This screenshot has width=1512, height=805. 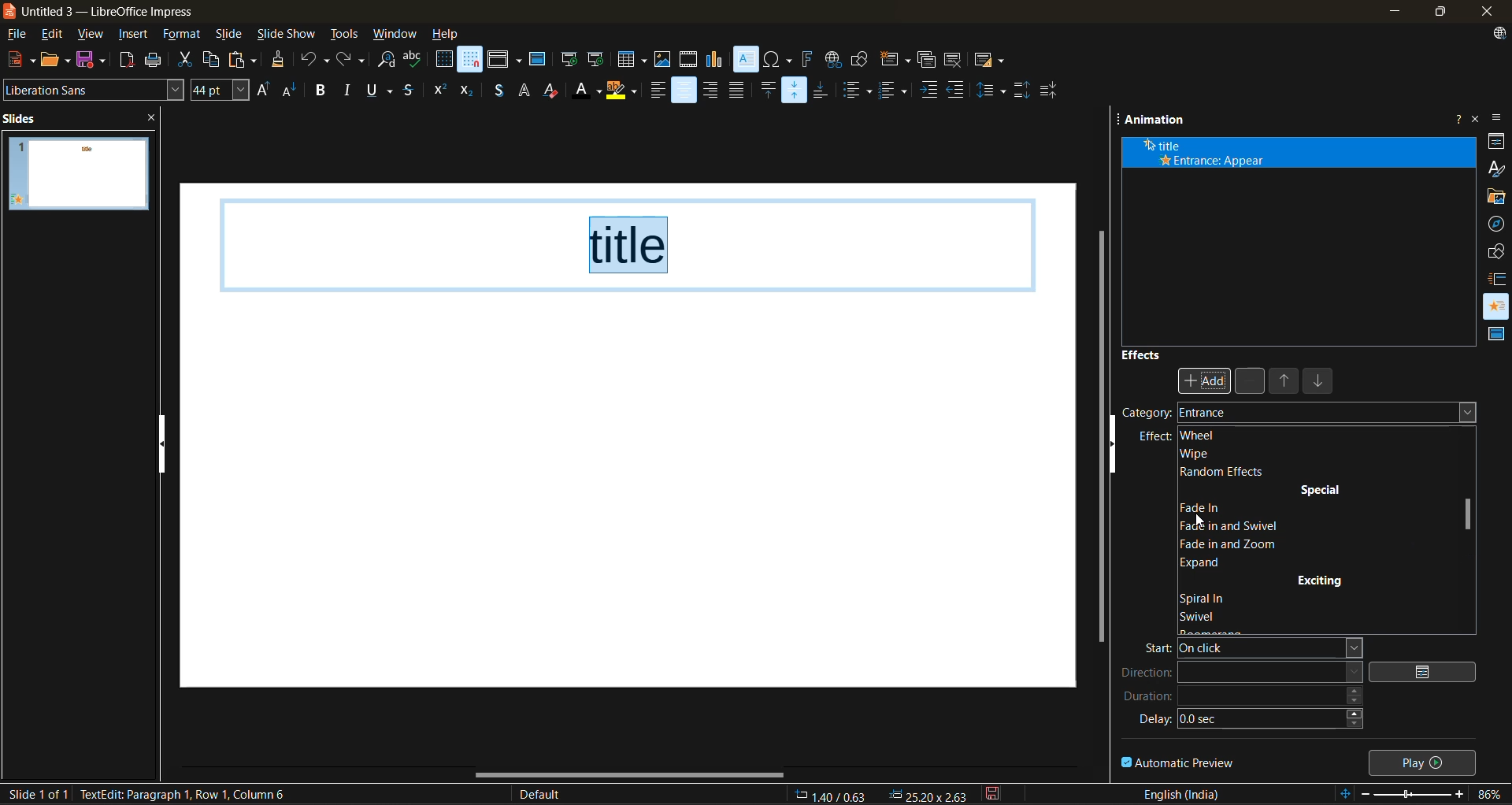 I want to click on align right, so click(x=711, y=91).